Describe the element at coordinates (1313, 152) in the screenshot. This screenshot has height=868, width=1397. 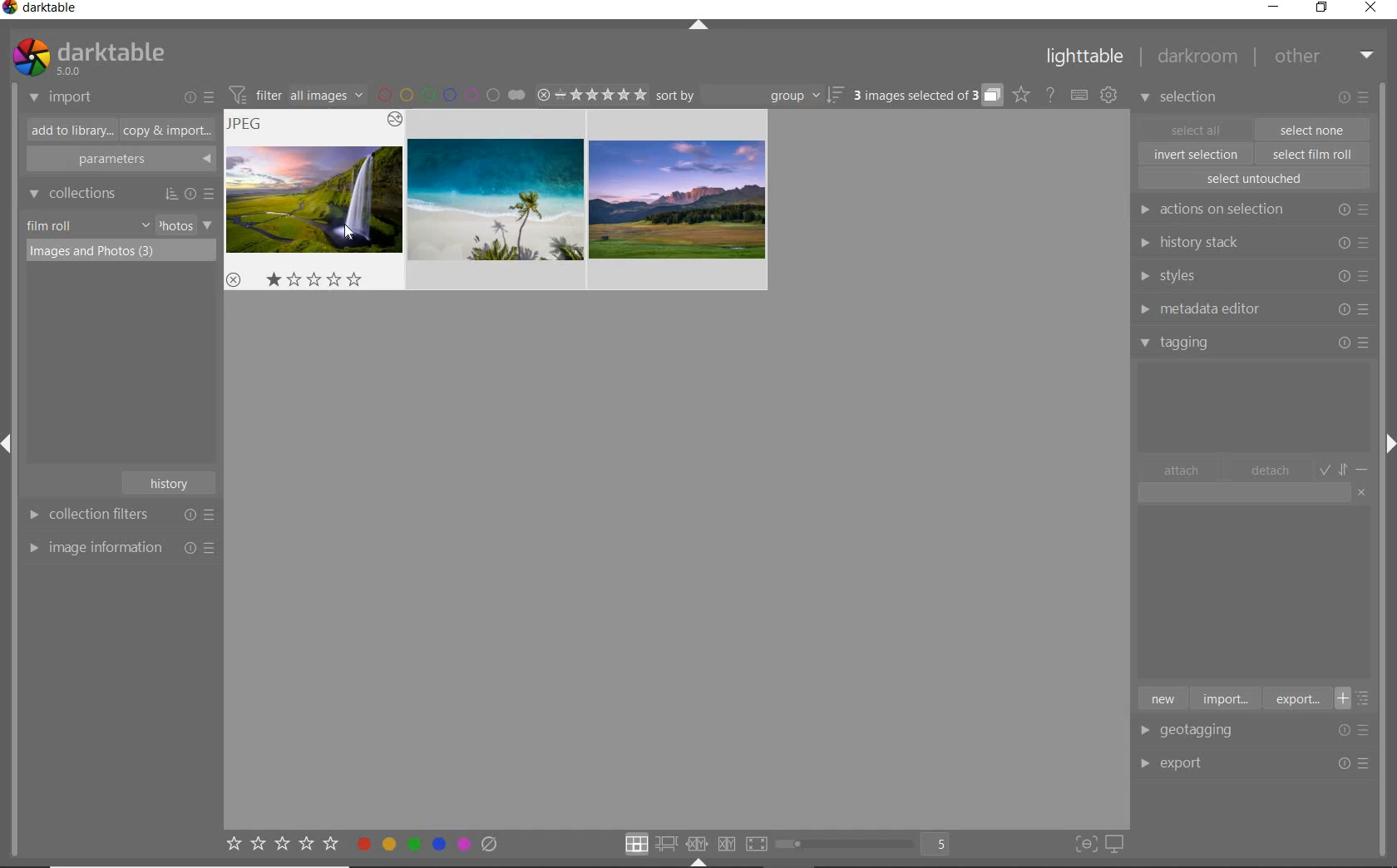
I see `select film roll` at that location.